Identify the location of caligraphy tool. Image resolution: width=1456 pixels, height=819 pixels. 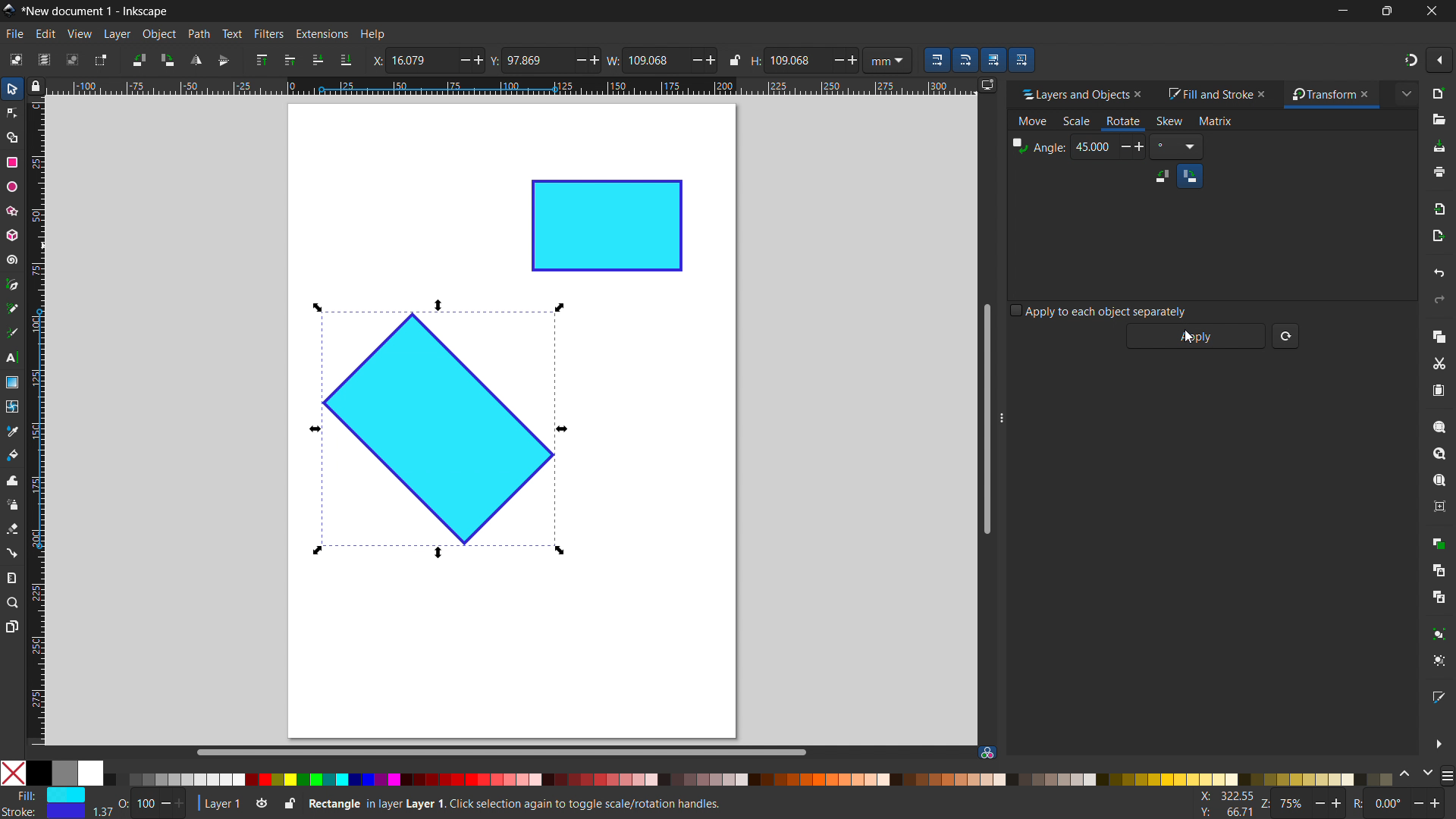
(11, 332).